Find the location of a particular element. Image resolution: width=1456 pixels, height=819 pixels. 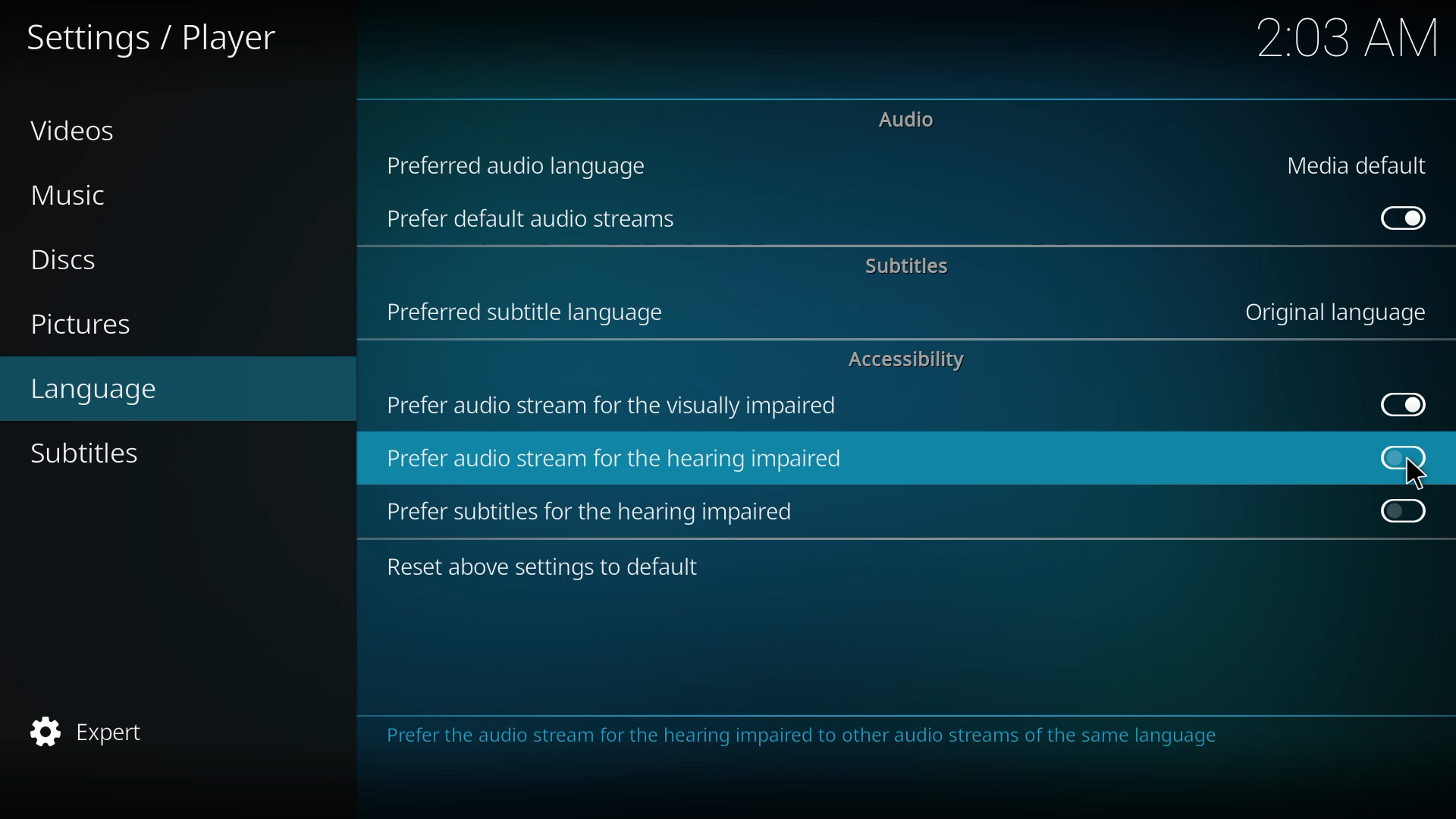

click to enable is located at coordinates (1404, 513).